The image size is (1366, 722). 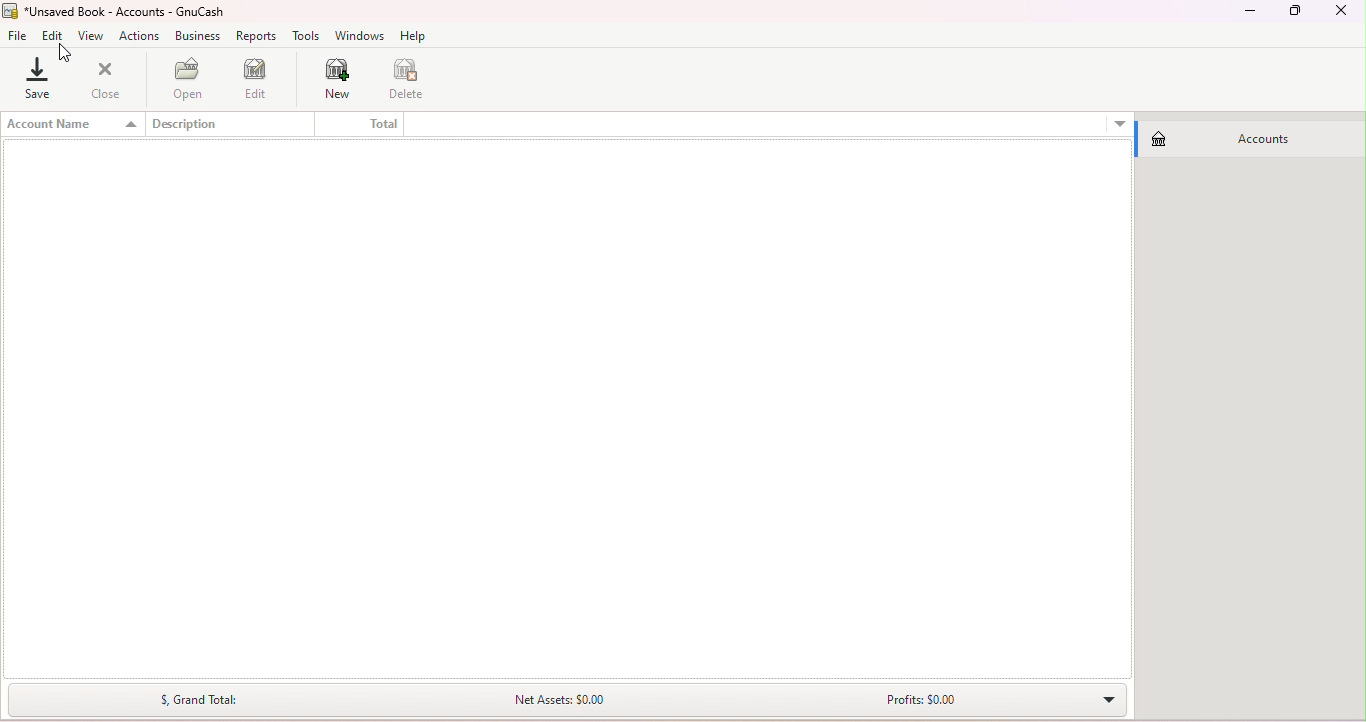 I want to click on New, so click(x=339, y=81).